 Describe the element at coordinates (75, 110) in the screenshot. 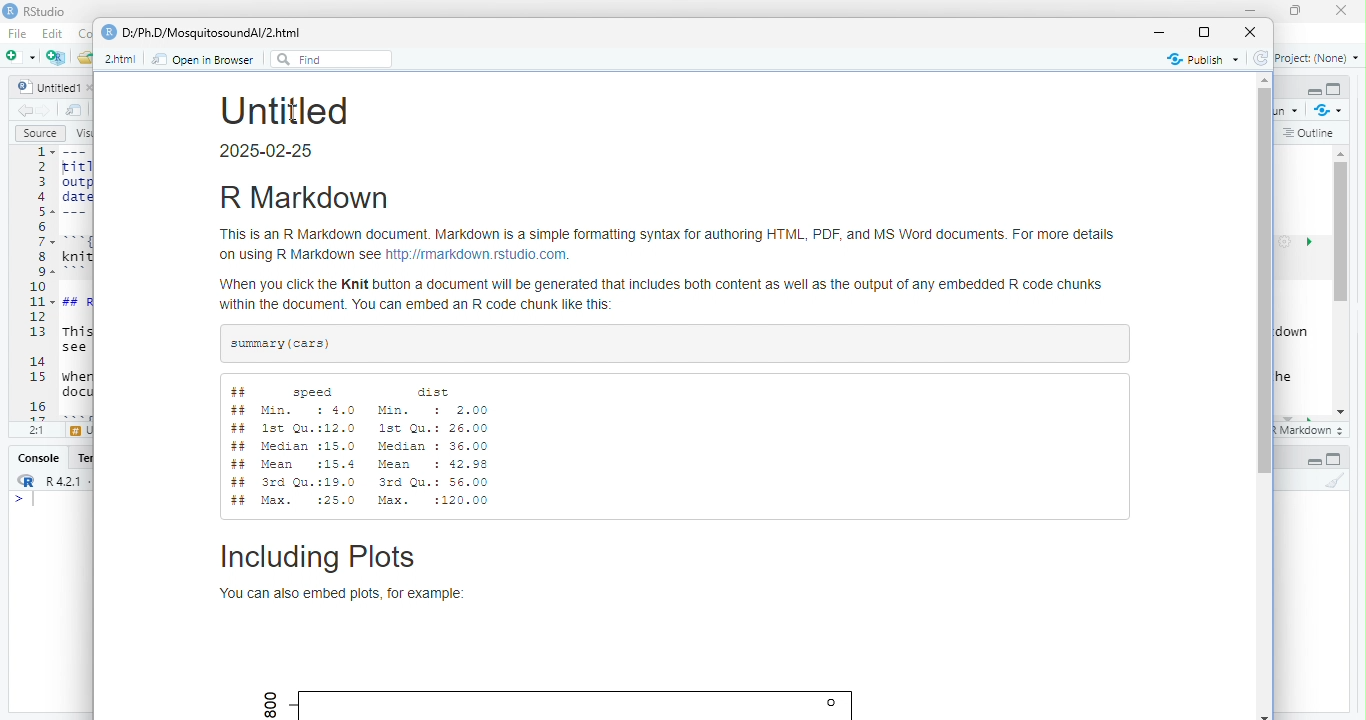

I see `search in doc` at that location.